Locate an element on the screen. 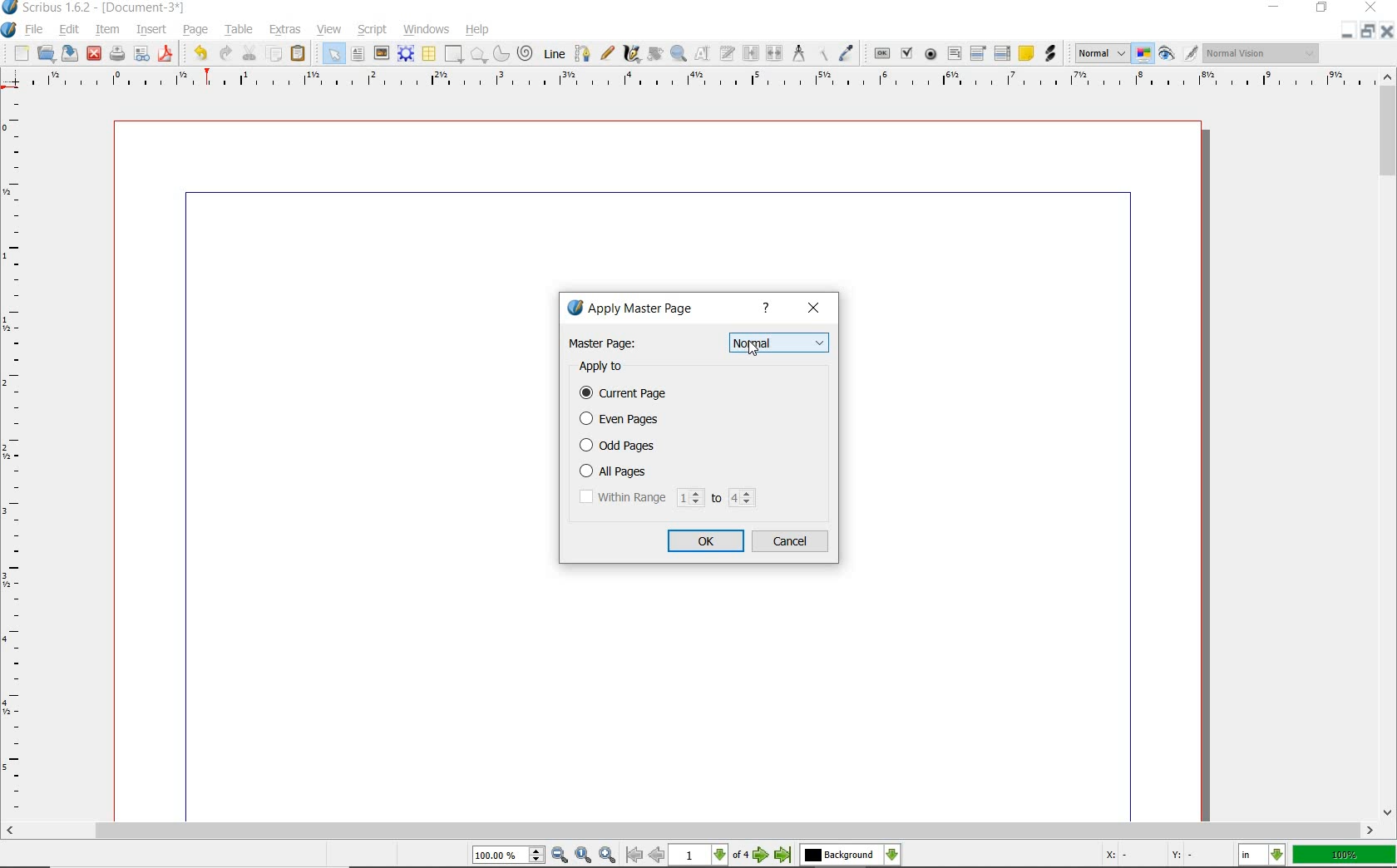  shape is located at coordinates (452, 55).